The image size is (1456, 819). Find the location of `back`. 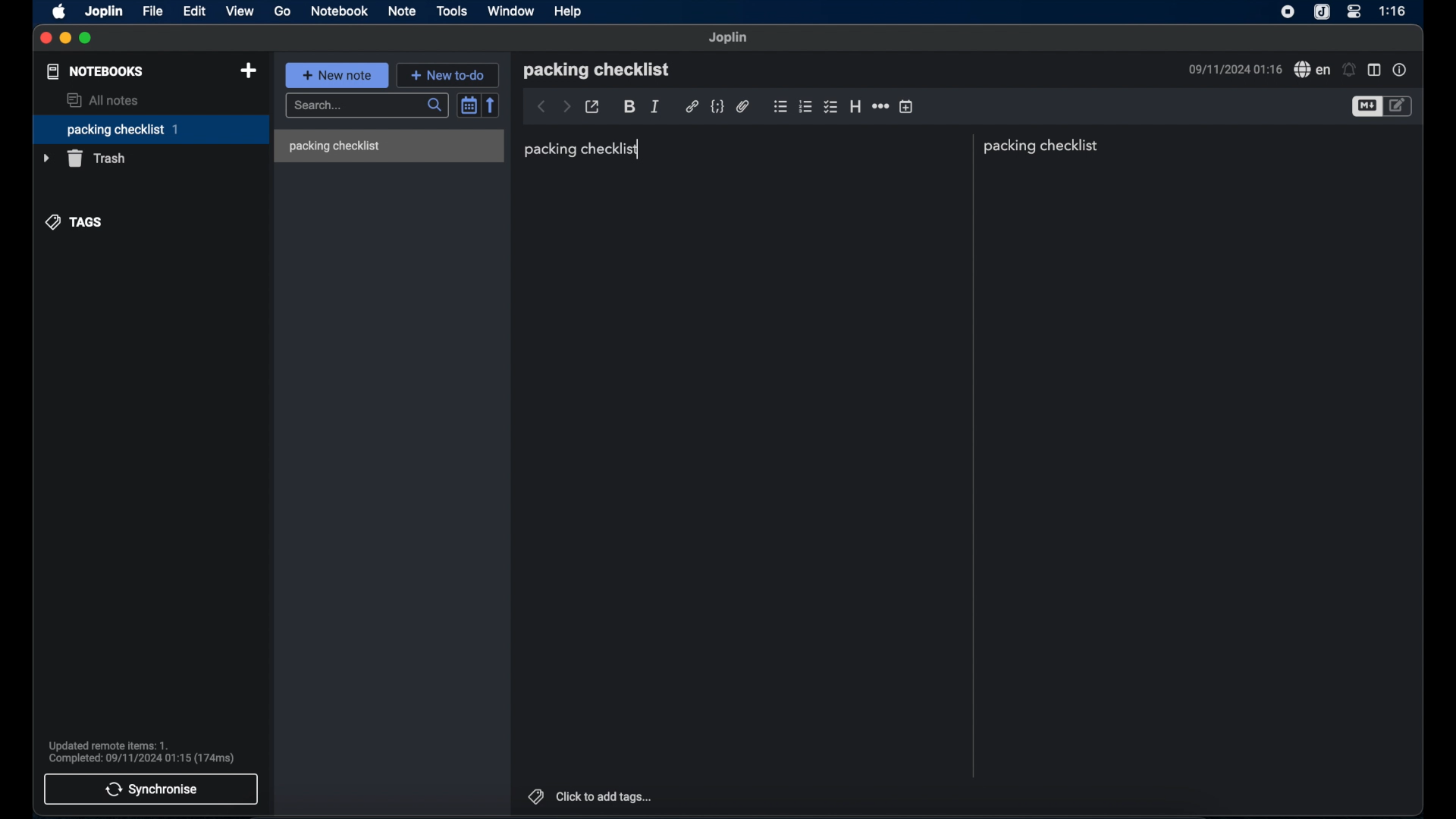

back is located at coordinates (541, 107).